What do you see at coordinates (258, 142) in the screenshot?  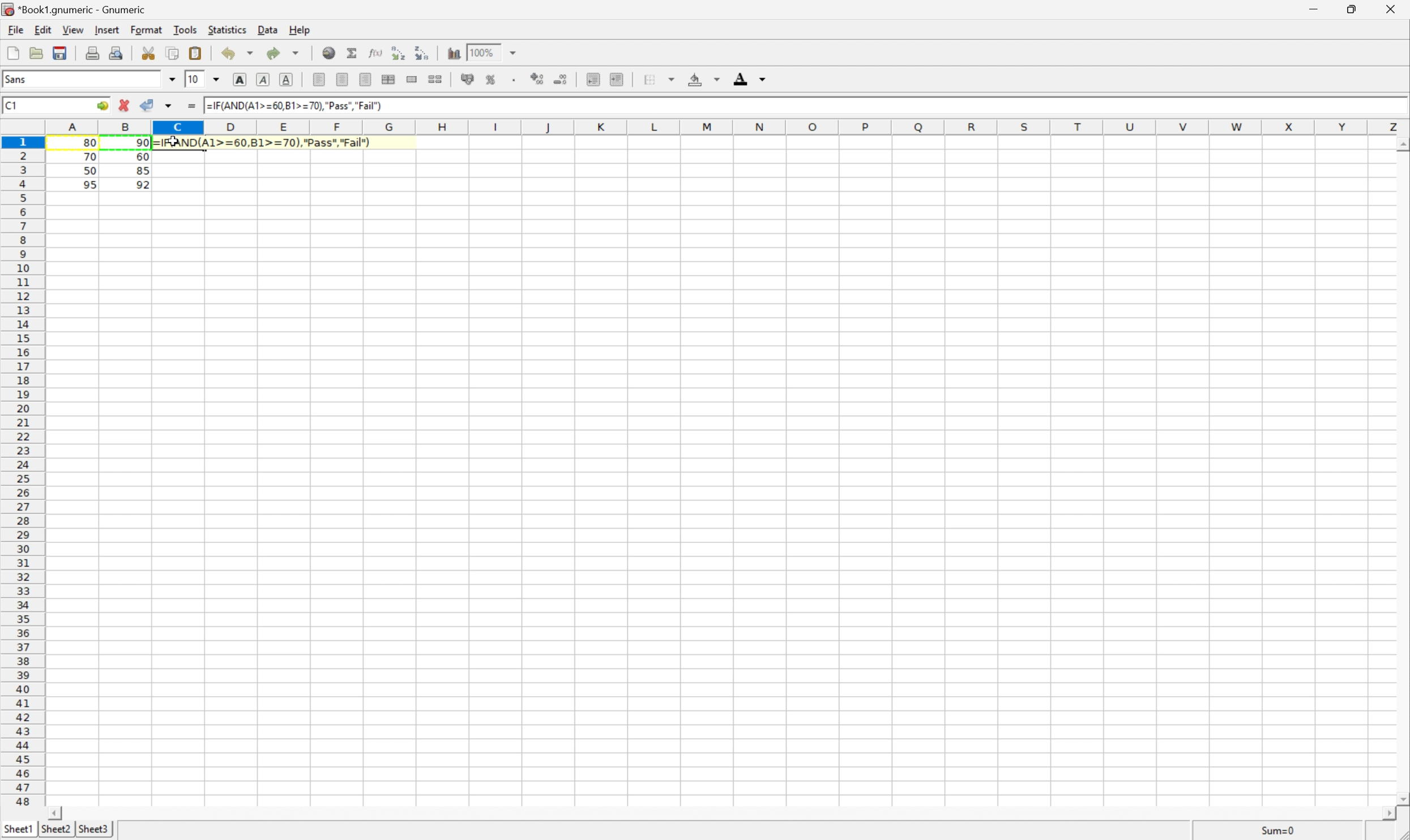 I see `=IF(AND(A1>=60,B1>=70),"Pass","Fail")` at bounding box center [258, 142].